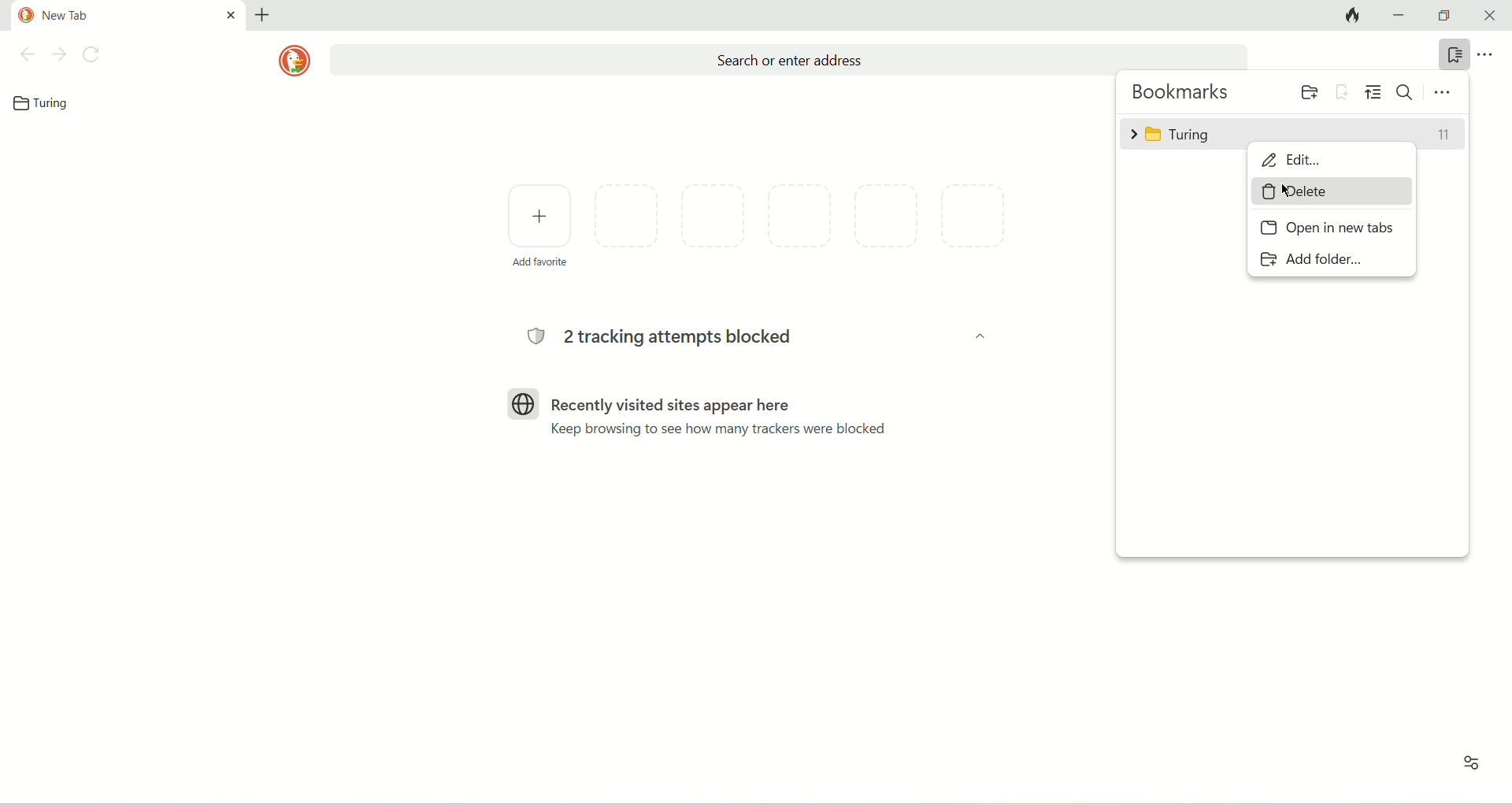 This screenshot has width=1512, height=805. Describe the element at coordinates (1373, 92) in the screenshot. I see `view option` at that location.